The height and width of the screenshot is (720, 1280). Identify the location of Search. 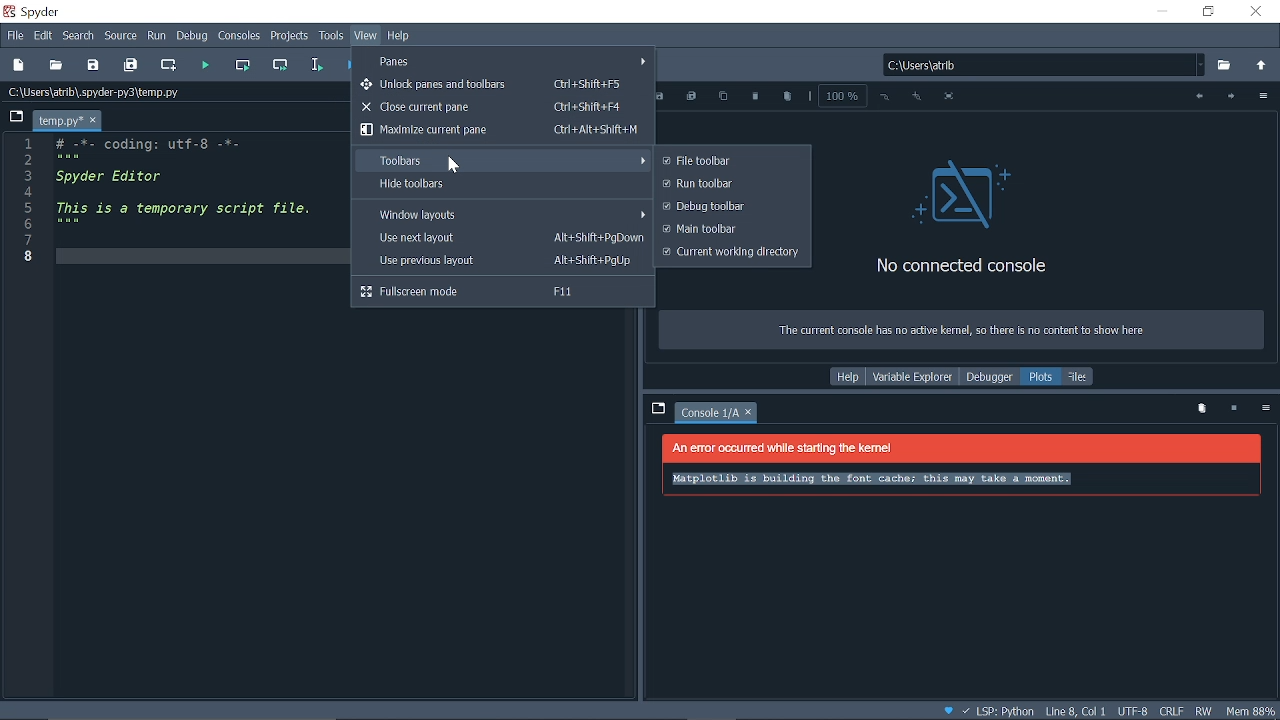
(78, 36).